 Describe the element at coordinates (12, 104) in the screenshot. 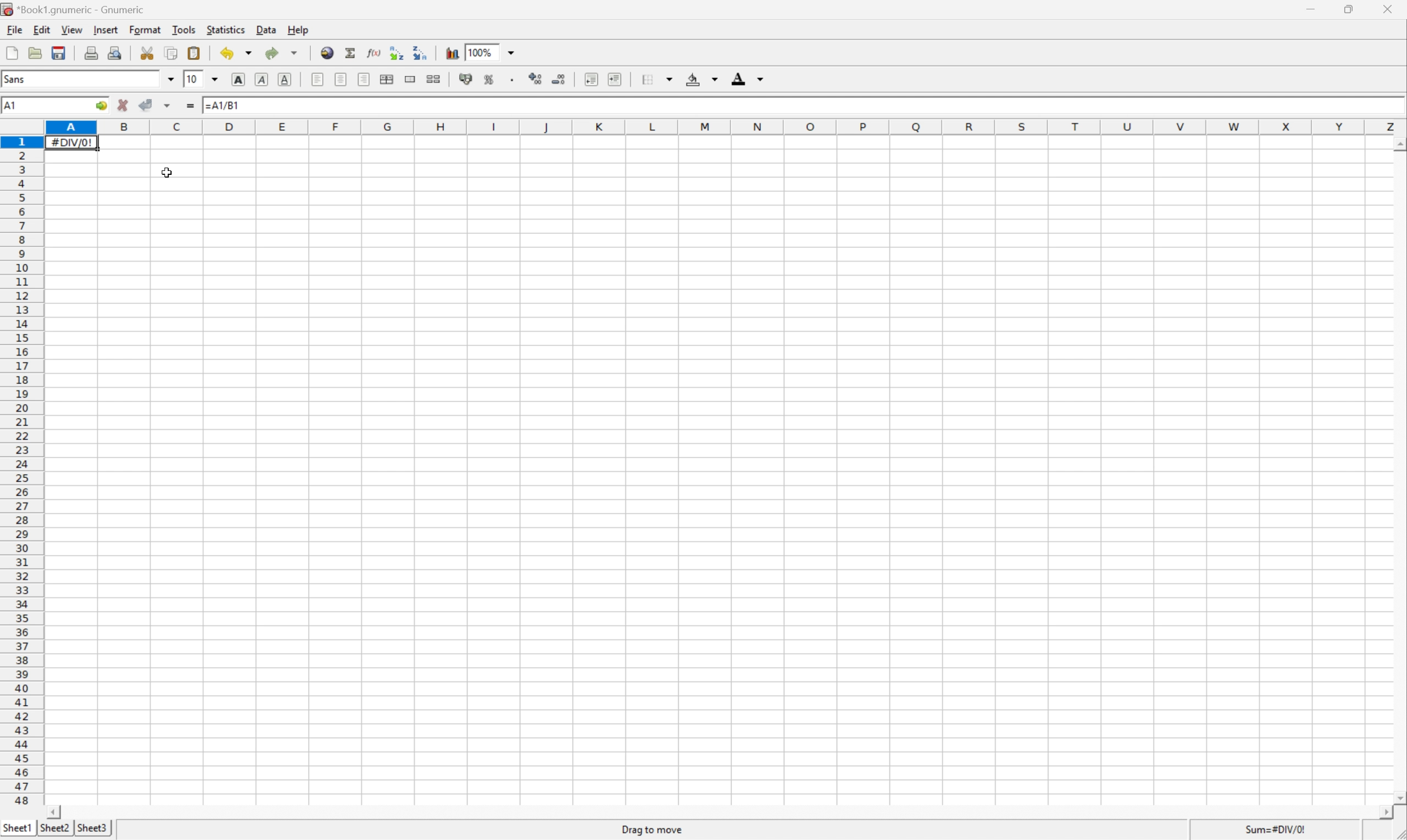

I see `A1` at that location.